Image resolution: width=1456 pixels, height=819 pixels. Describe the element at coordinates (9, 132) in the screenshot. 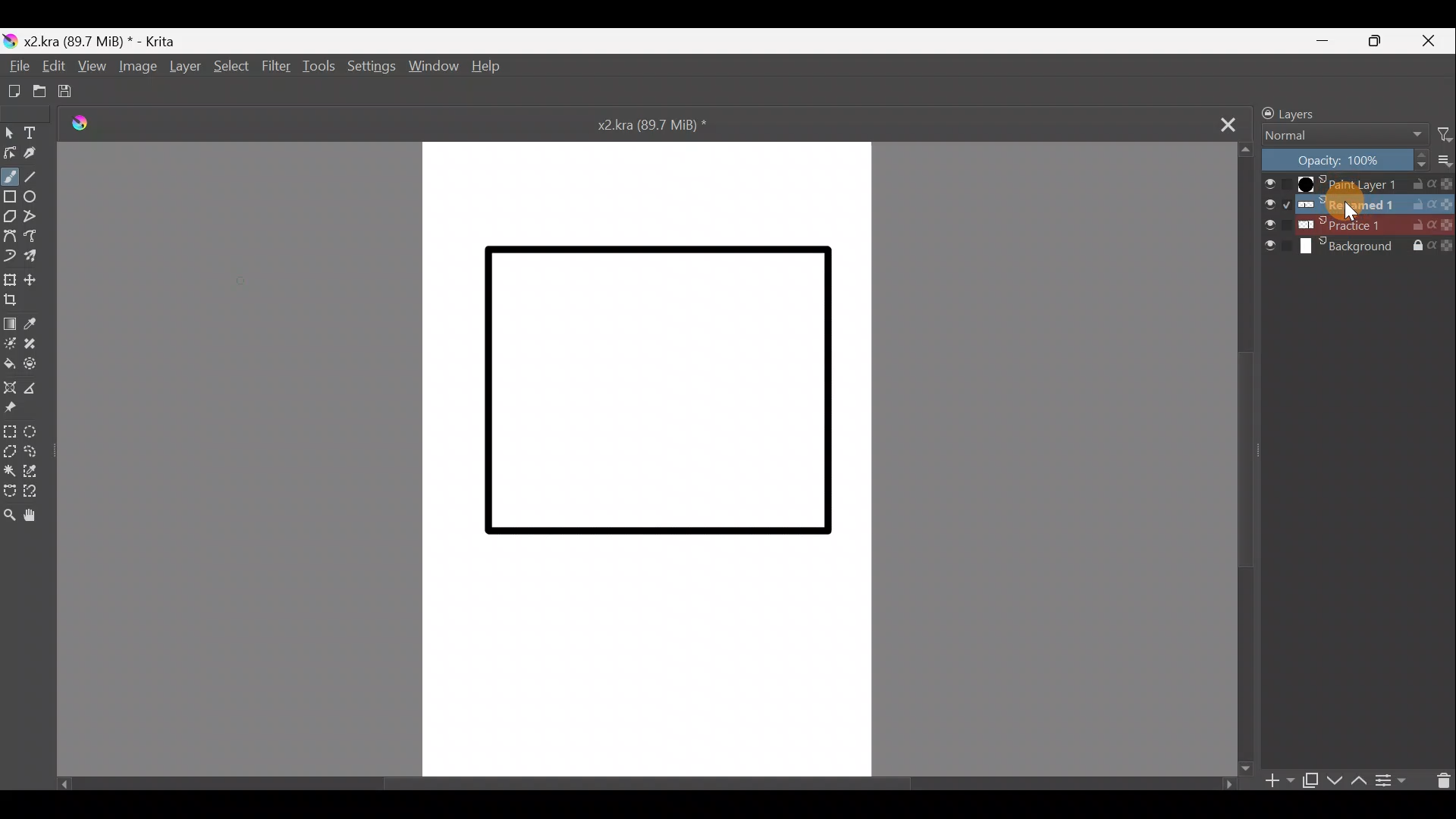

I see `Select shapes tool` at that location.